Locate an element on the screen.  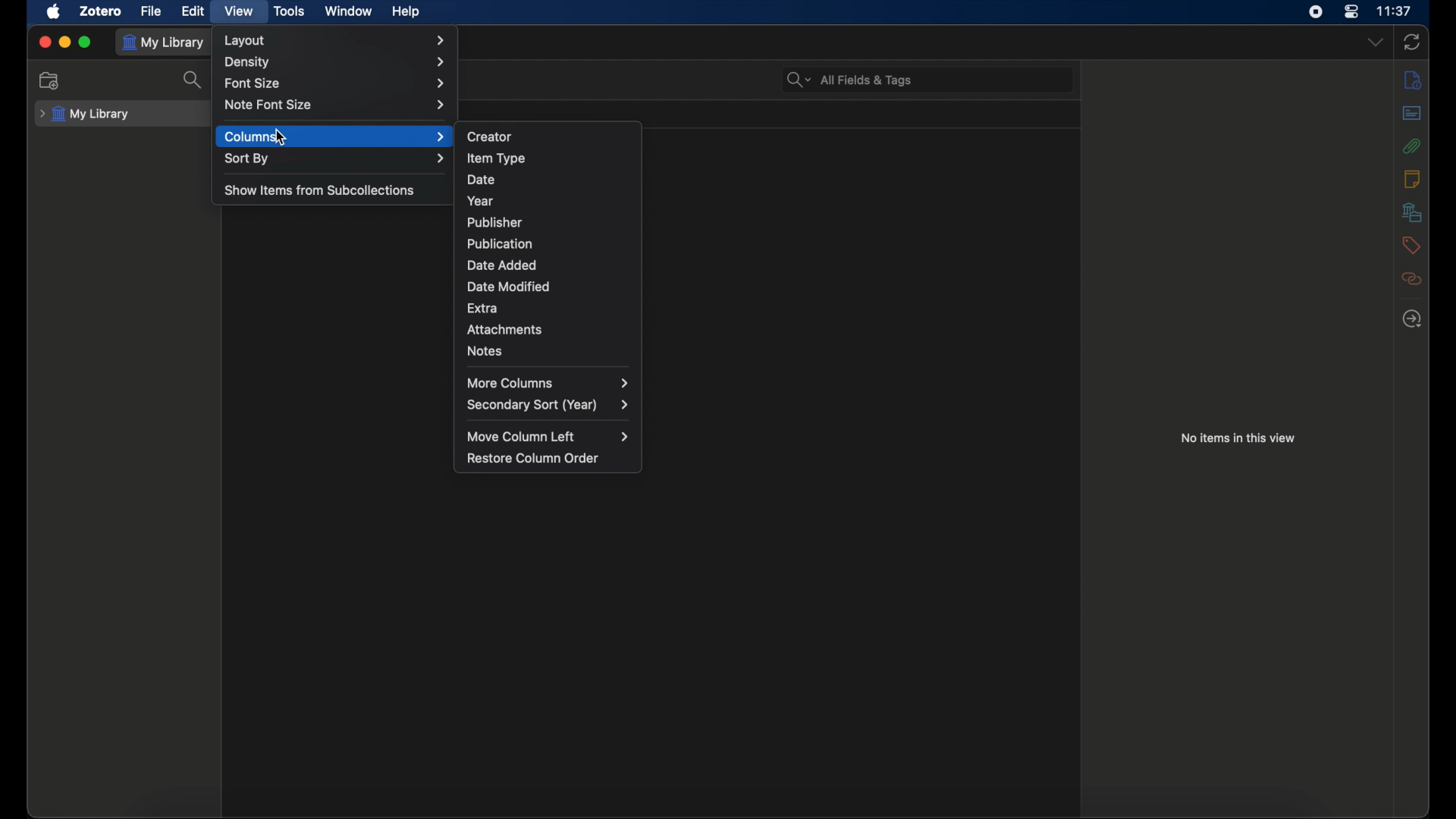
more columns is located at coordinates (548, 383).